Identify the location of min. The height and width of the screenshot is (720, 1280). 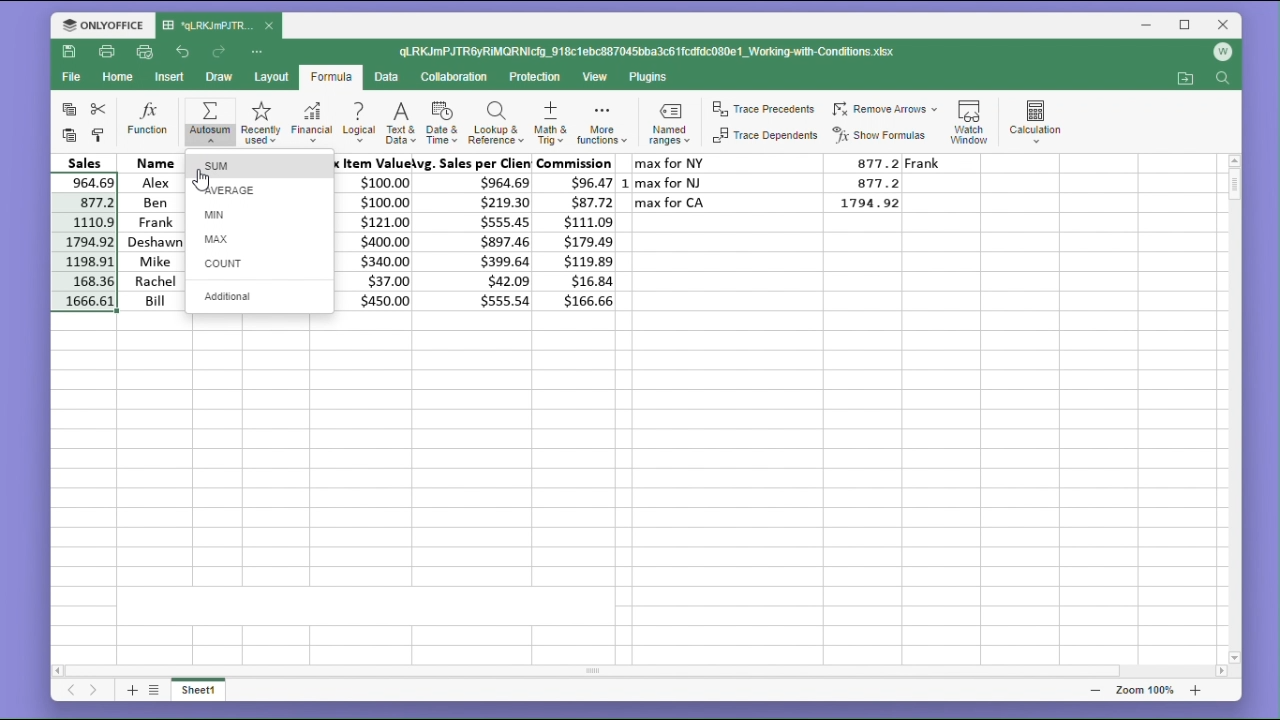
(258, 214).